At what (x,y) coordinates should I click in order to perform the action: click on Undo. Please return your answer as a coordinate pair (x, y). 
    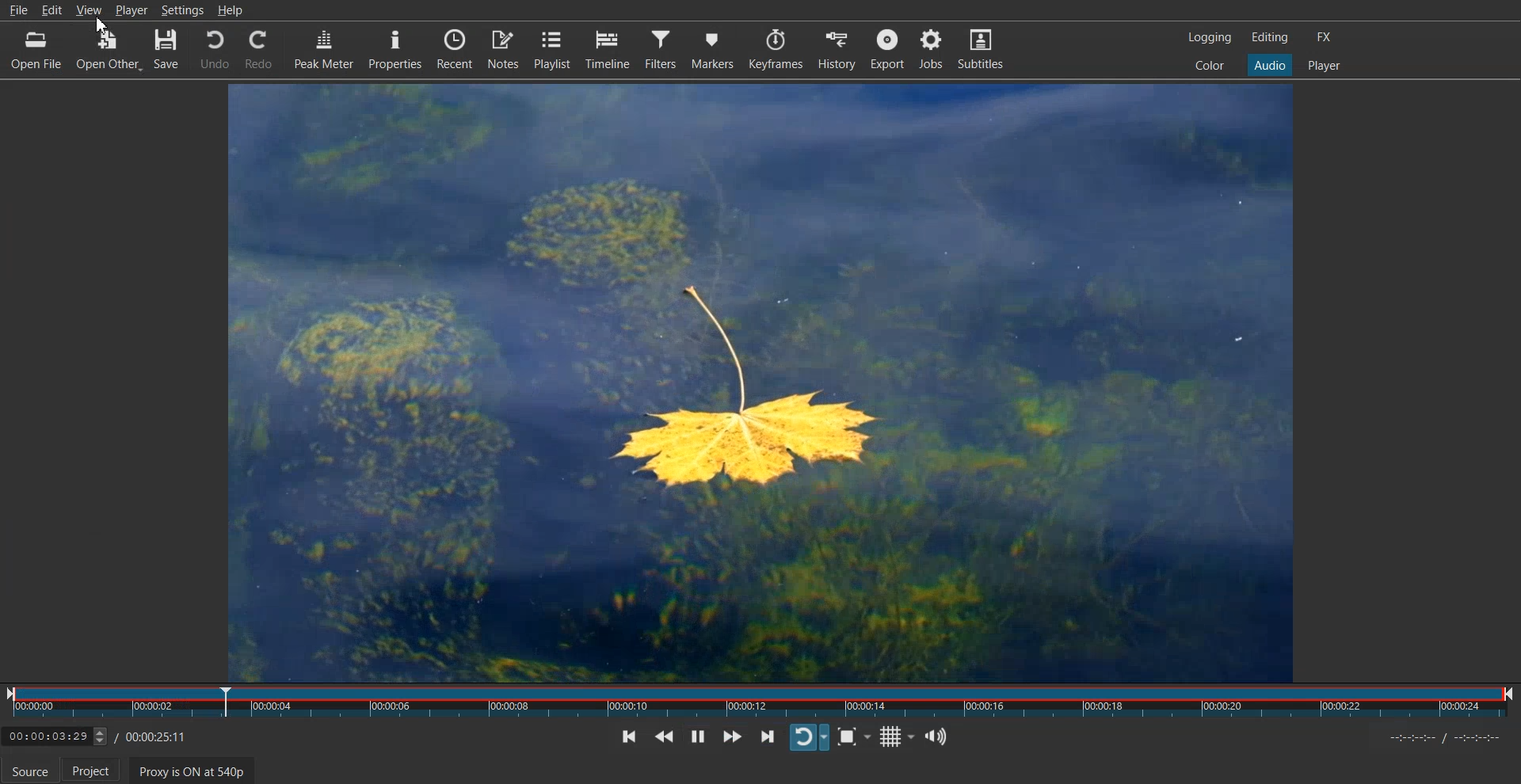
    Looking at the image, I should click on (214, 50).